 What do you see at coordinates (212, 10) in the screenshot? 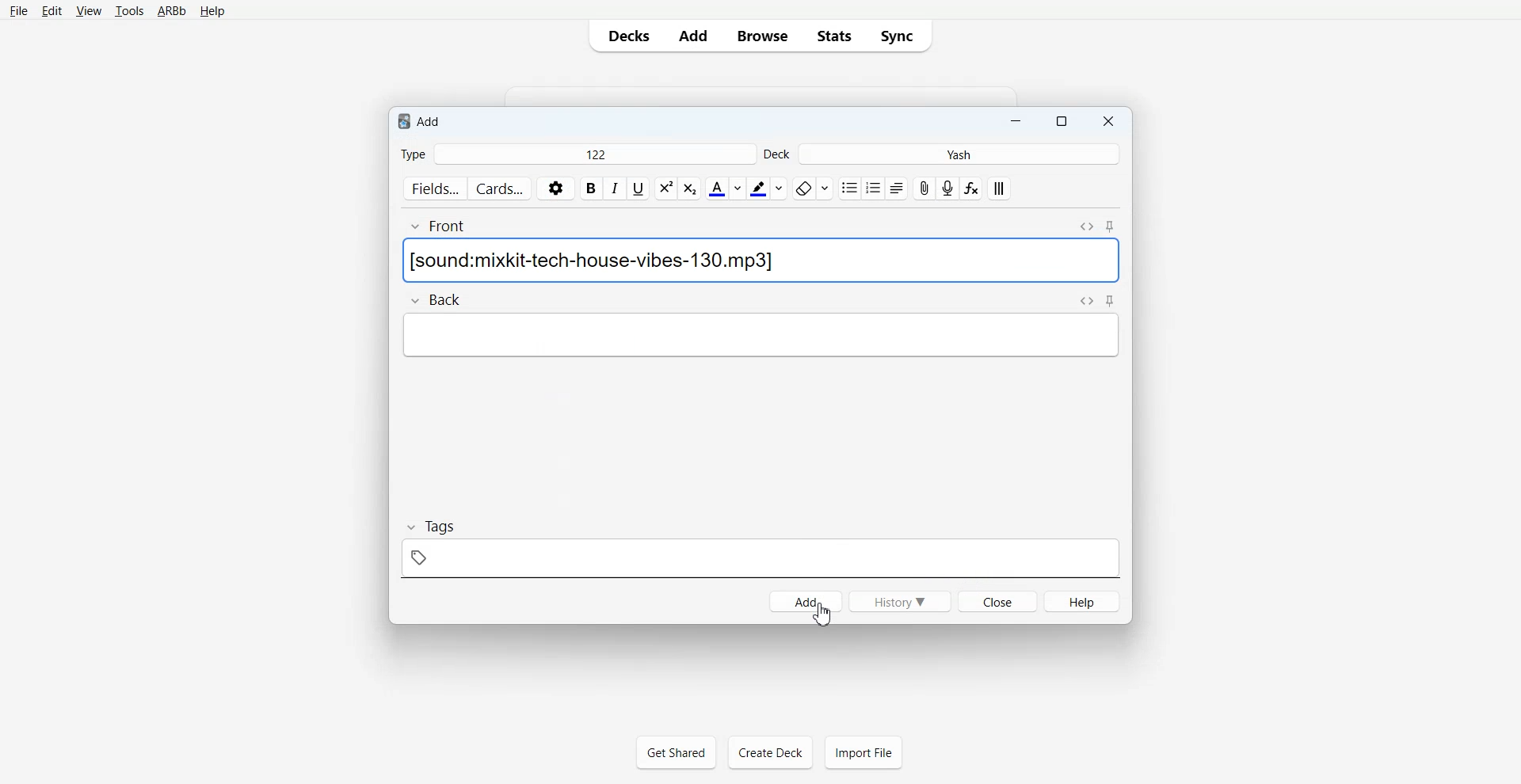
I see `Help` at bounding box center [212, 10].